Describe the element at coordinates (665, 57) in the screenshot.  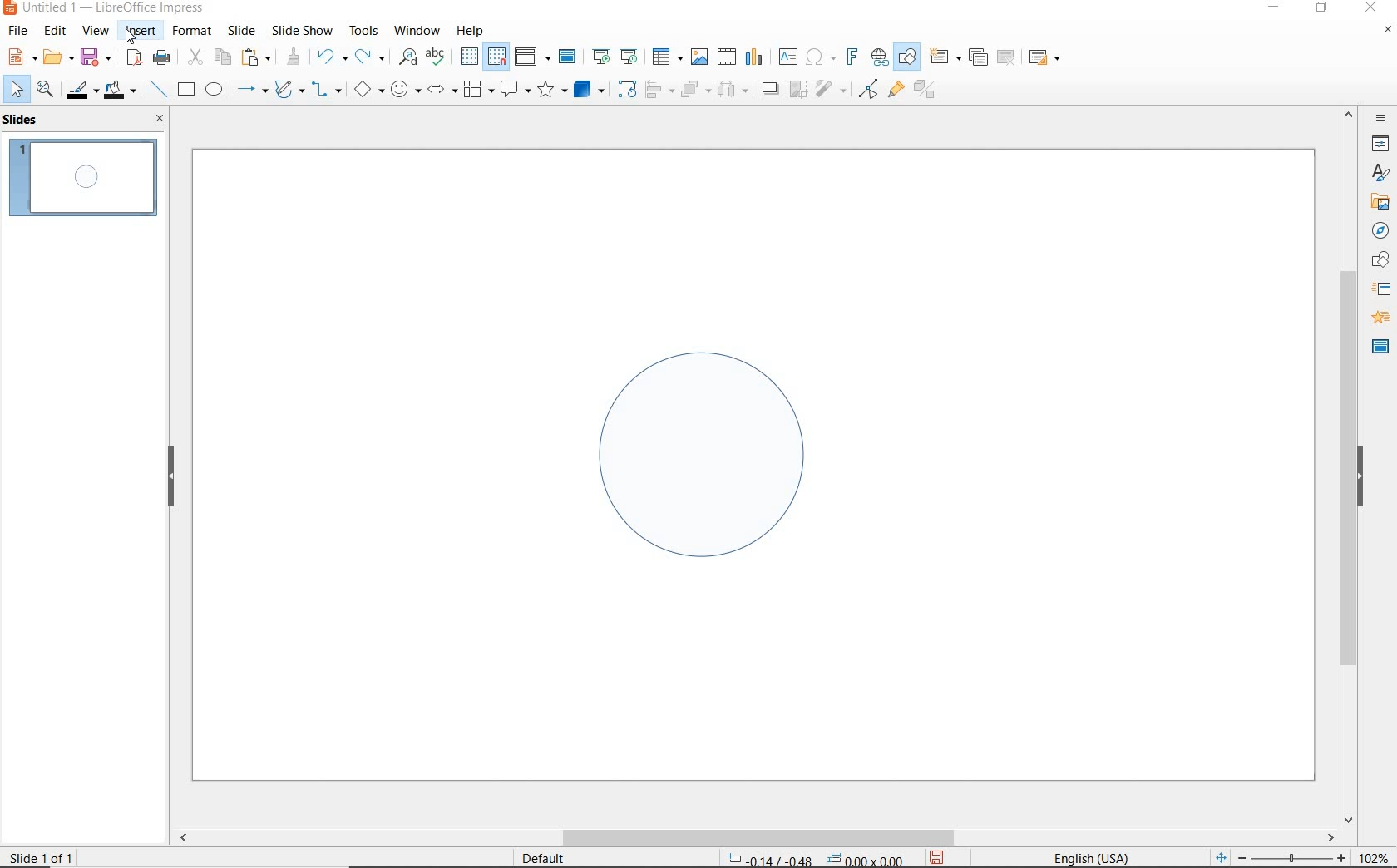
I see `insert table` at that location.